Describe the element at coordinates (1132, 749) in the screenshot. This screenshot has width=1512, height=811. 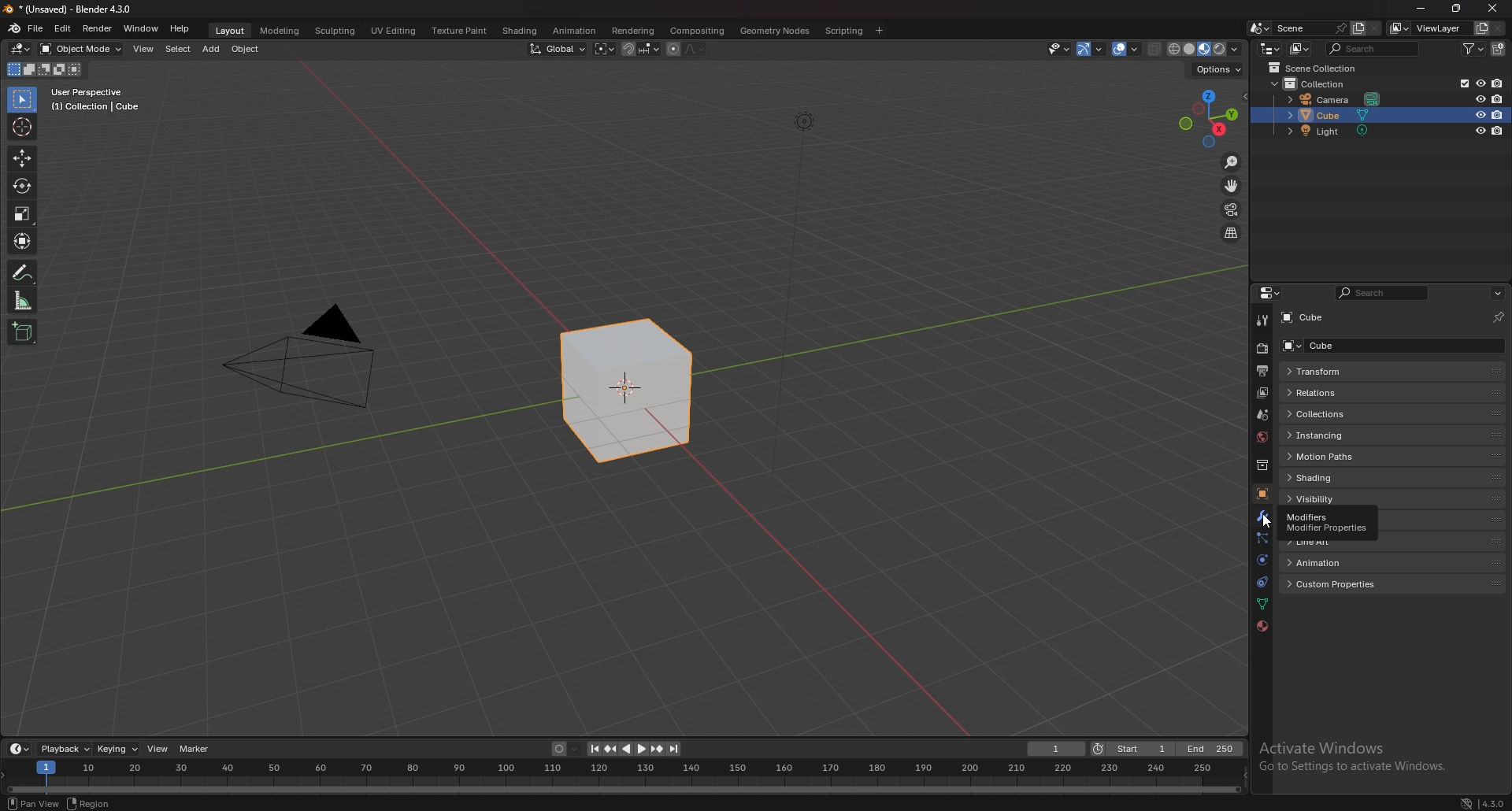
I see `start` at that location.